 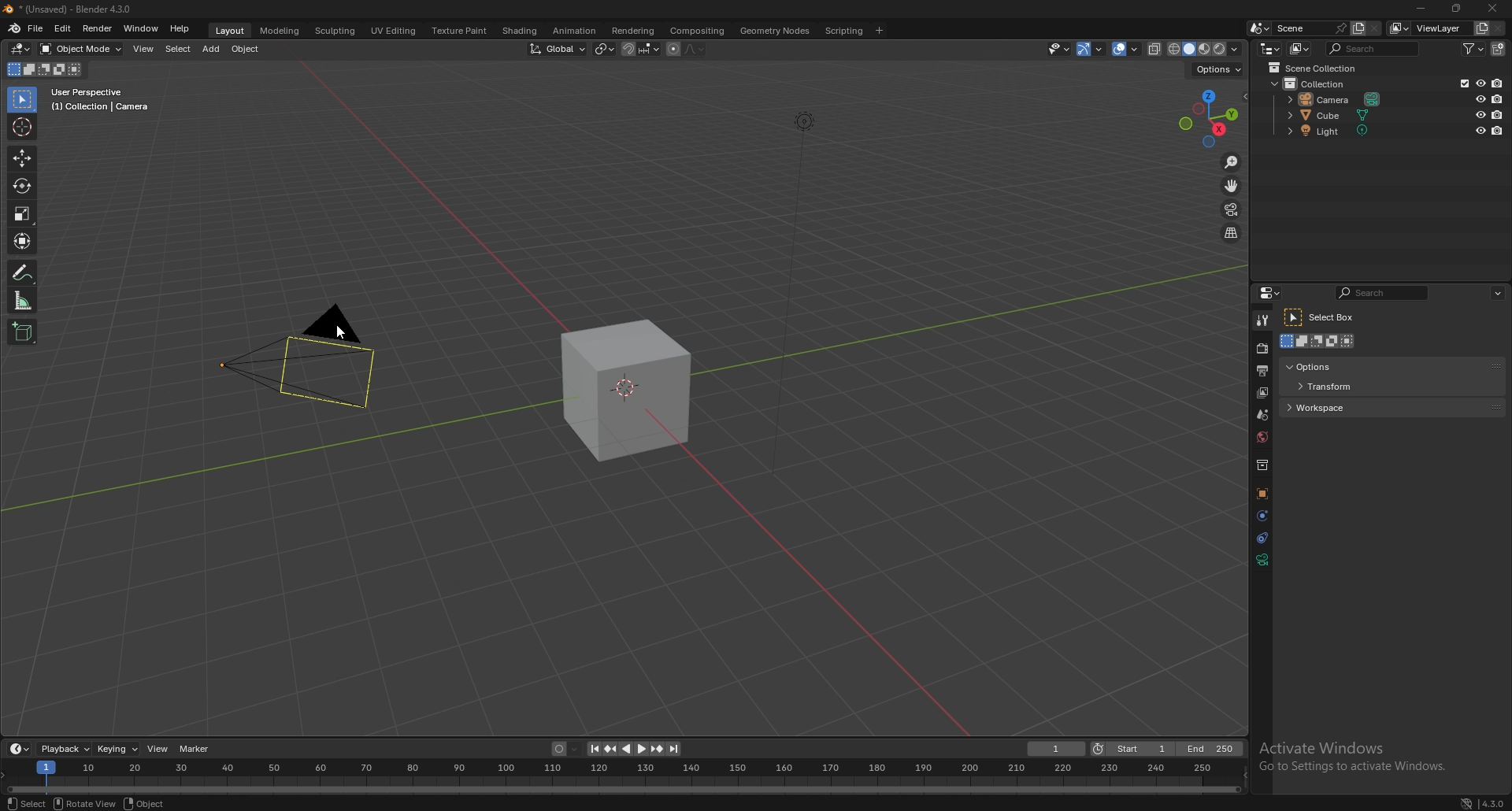 What do you see at coordinates (146, 803) in the screenshot?
I see `object` at bounding box center [146, 803].